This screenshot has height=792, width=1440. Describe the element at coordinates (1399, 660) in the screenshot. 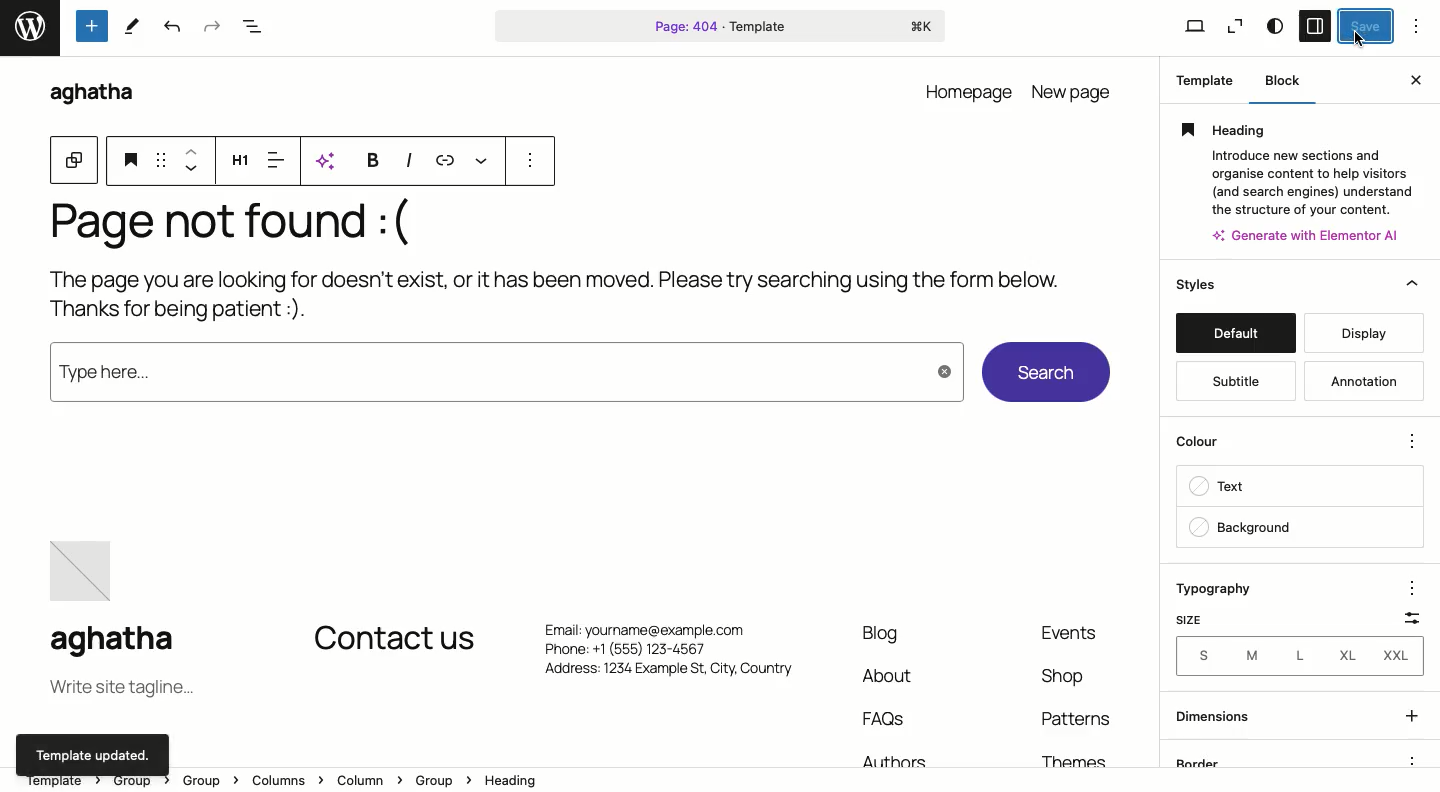

I see `XXL` at that location.